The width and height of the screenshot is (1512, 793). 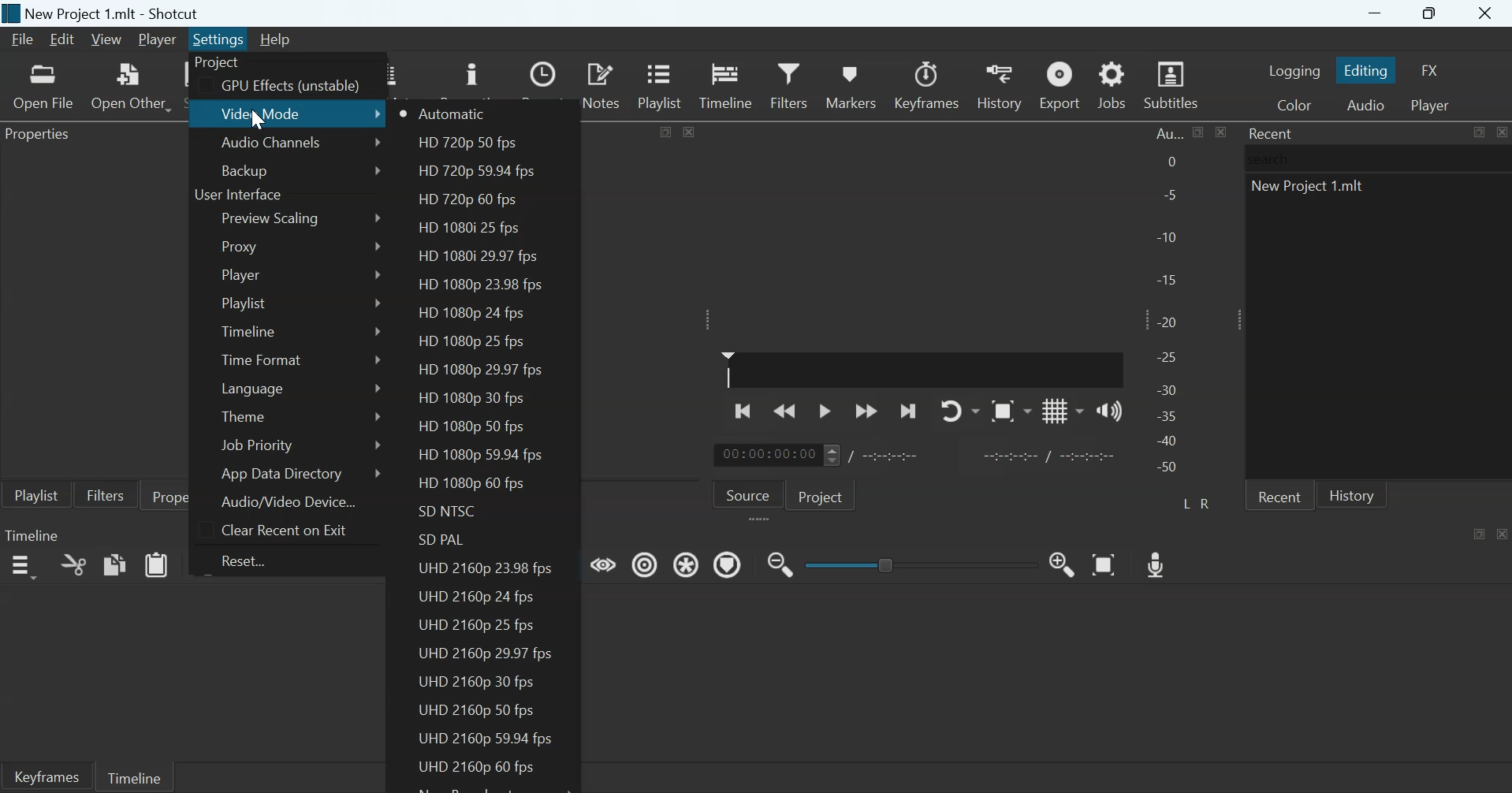 I want to click on Jobs, so click(x=1112, y=84).